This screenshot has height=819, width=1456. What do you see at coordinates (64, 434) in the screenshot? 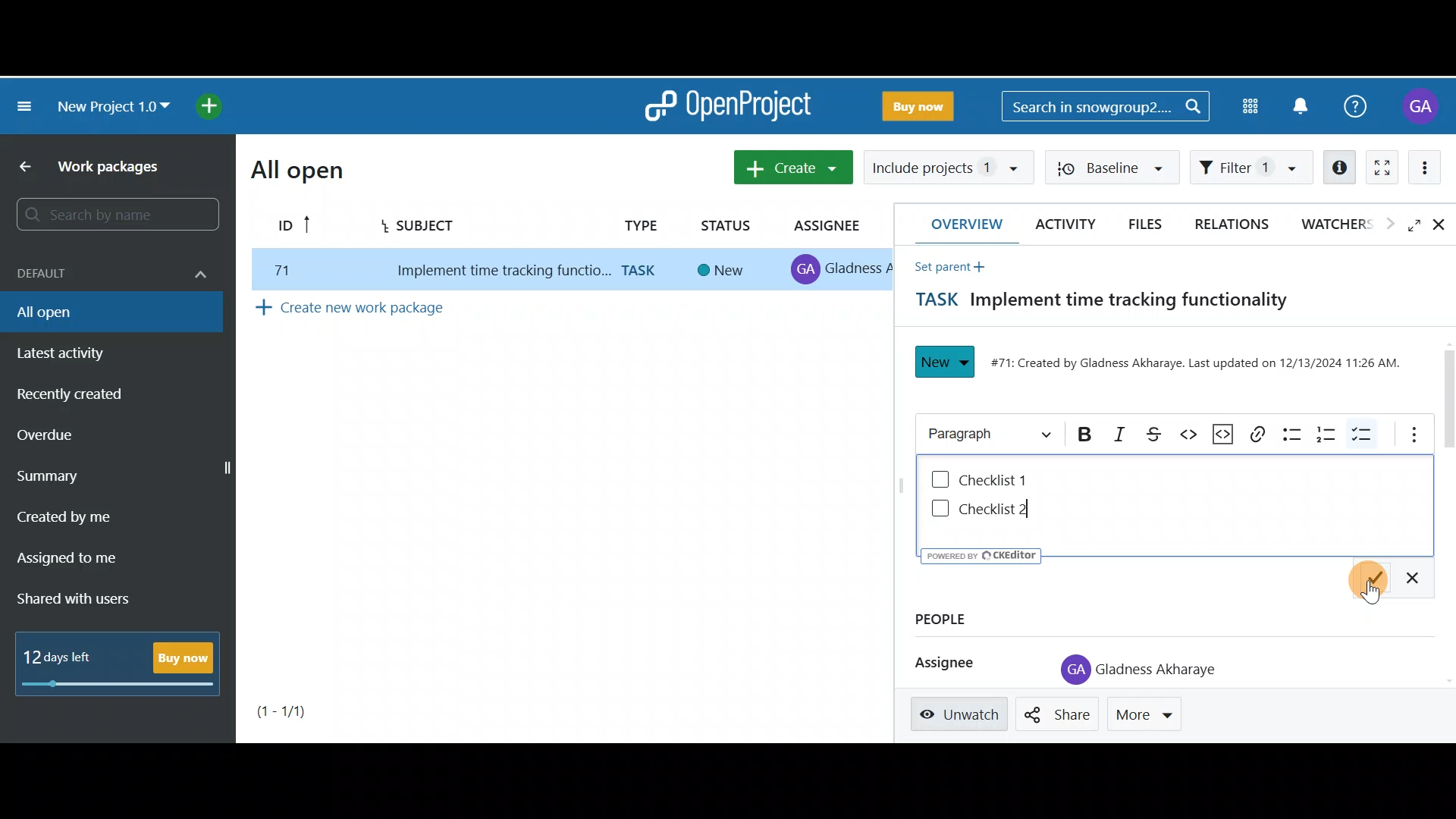
I see `Overdue` at bounding box center [64, 434].